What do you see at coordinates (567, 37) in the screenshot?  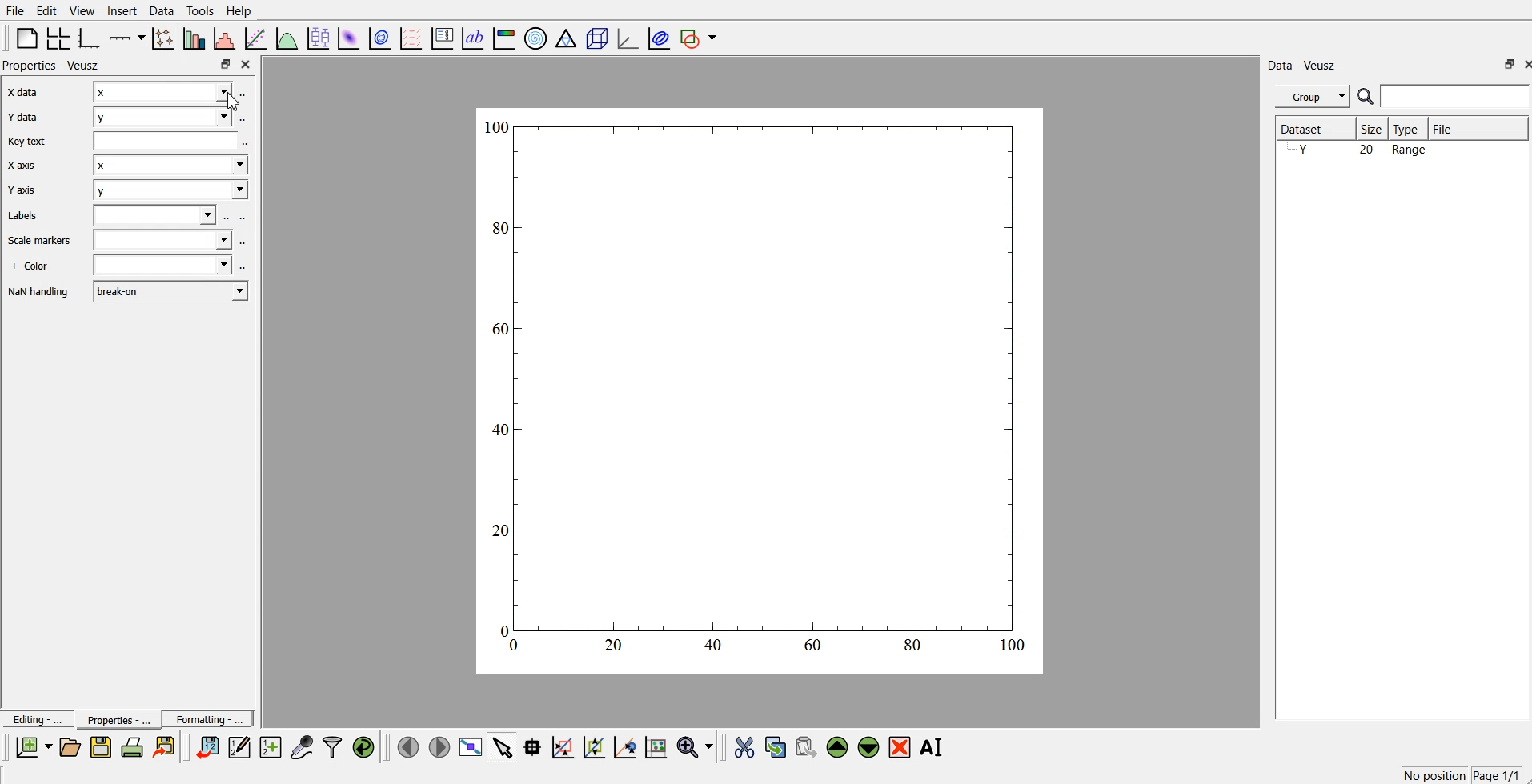 I see `ternary graph` at bounding box center [567, 37].